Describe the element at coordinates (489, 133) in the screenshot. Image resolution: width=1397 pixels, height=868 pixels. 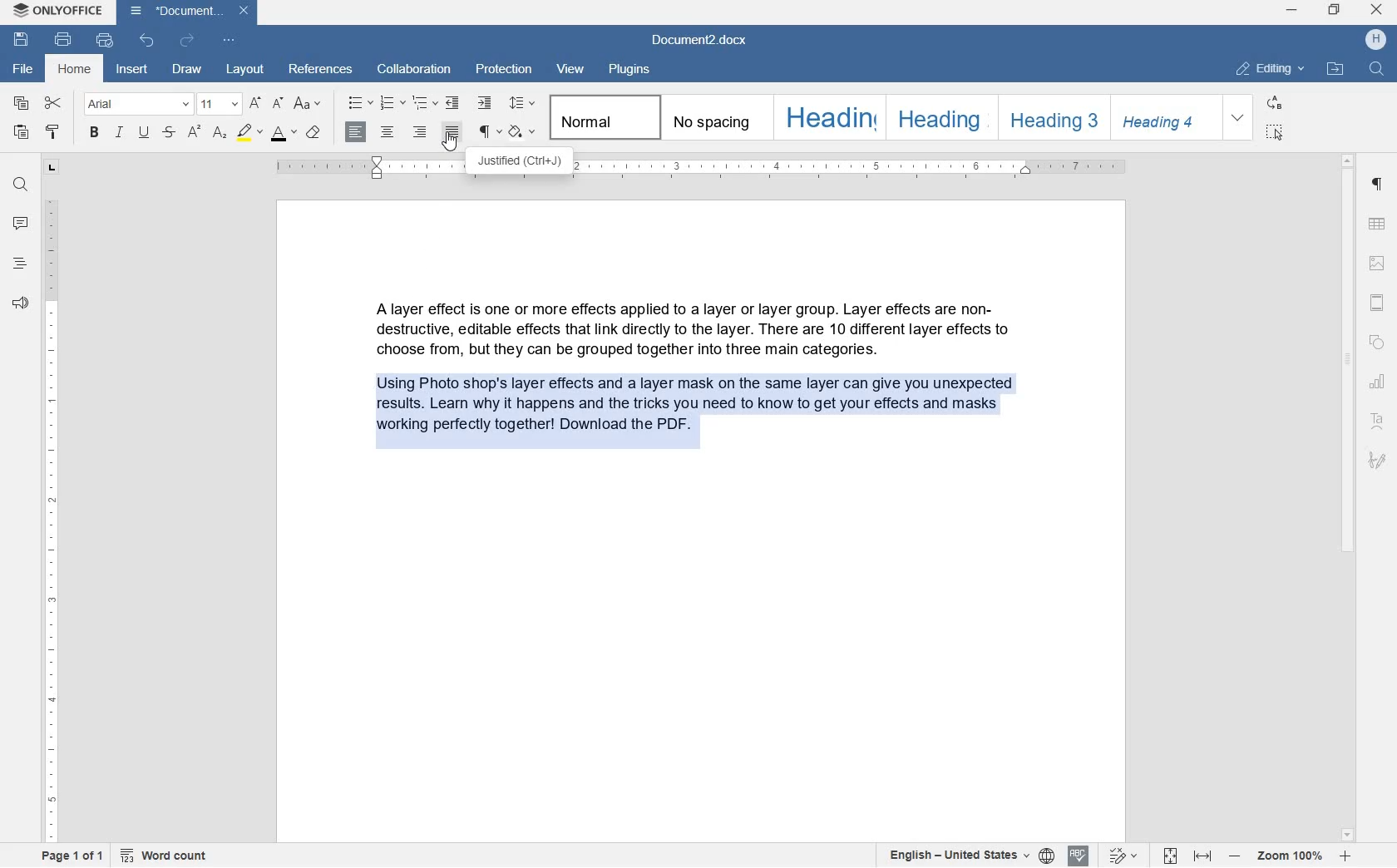
I see `PARAGRAPH SETTINGS` at that location.